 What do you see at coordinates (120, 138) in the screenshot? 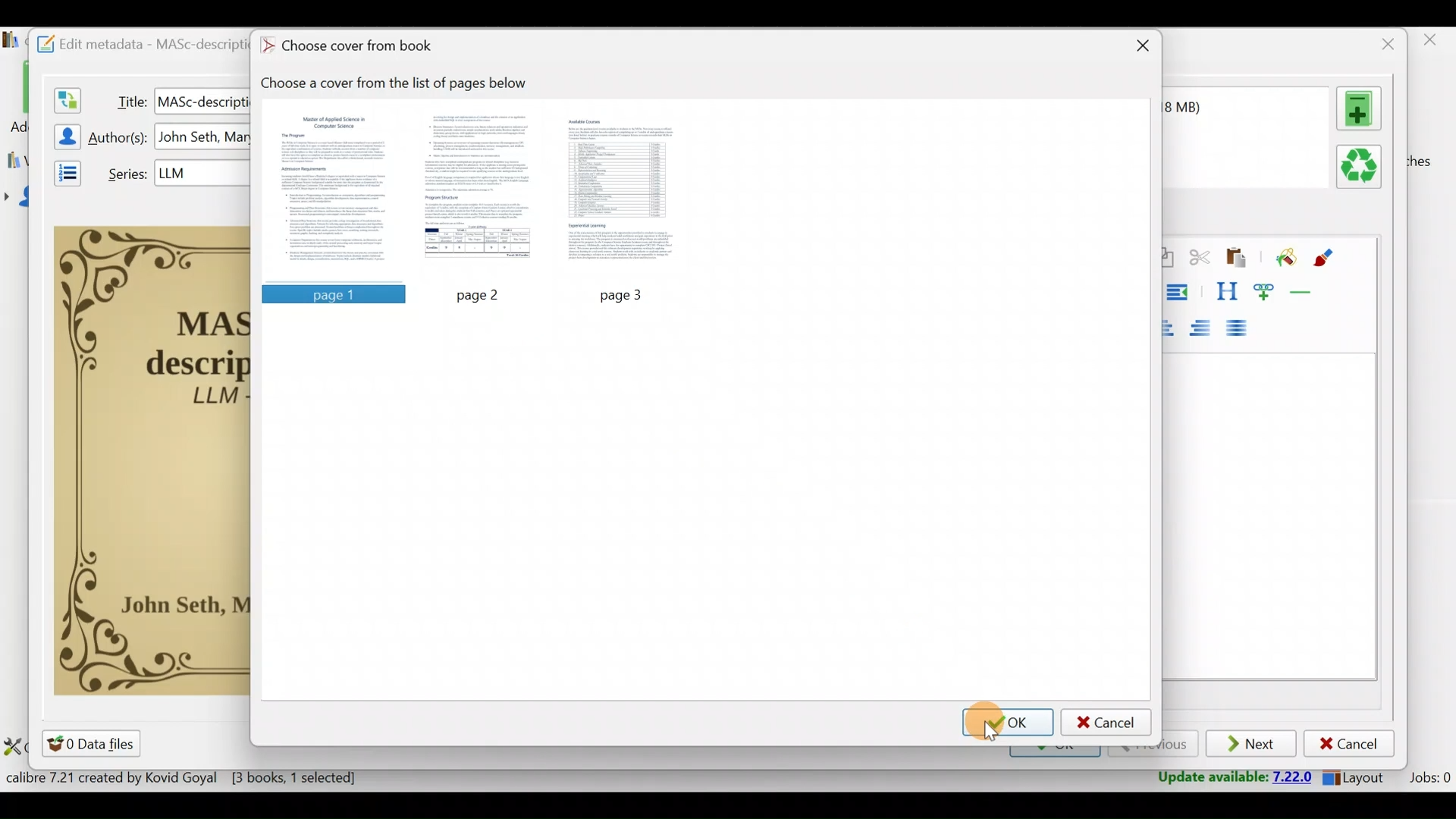
I see `Authors` at bounding box center [120, 138].